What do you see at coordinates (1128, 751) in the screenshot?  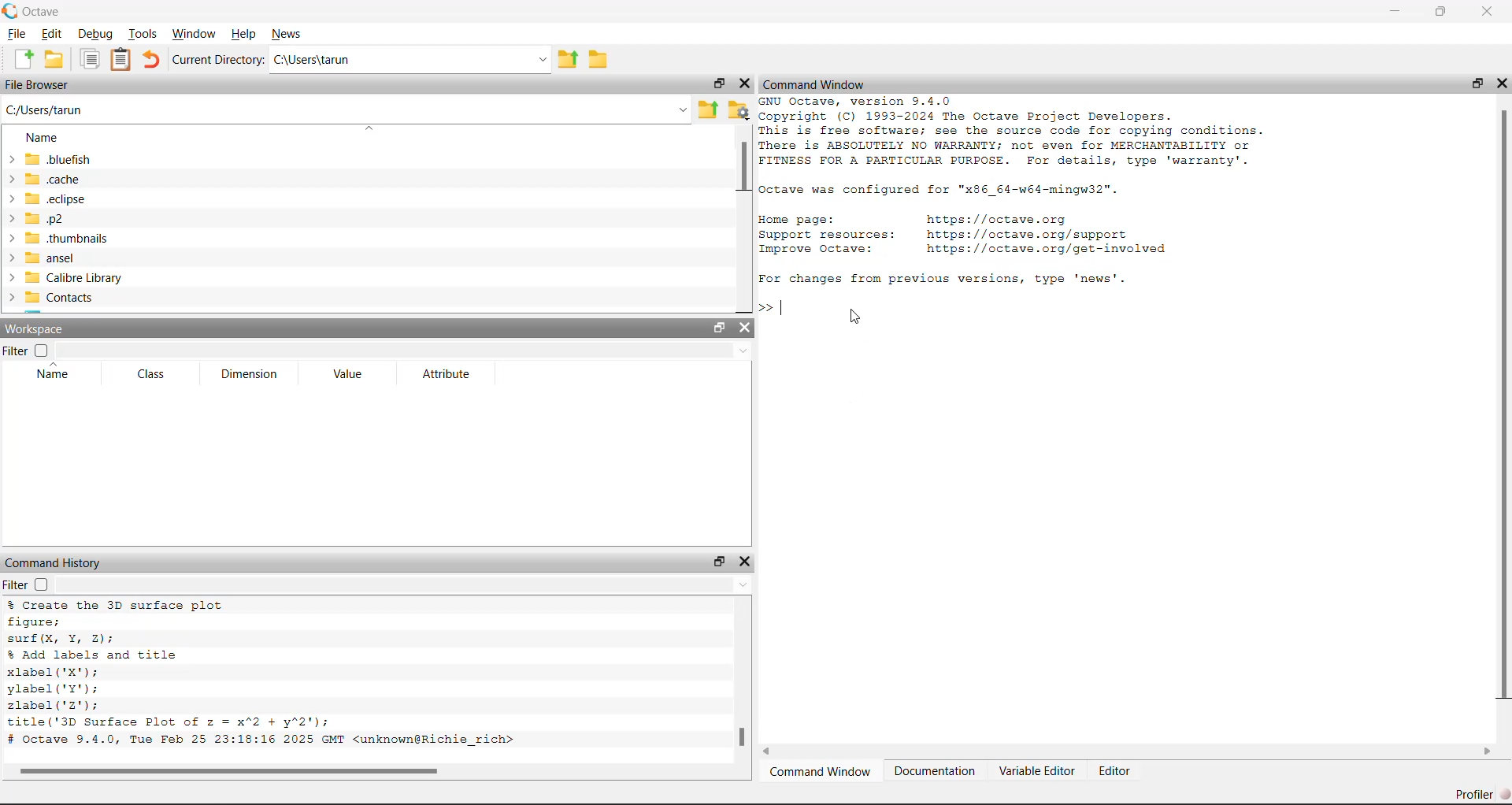 I see `Scroll` at bounding box center [1128, 751].